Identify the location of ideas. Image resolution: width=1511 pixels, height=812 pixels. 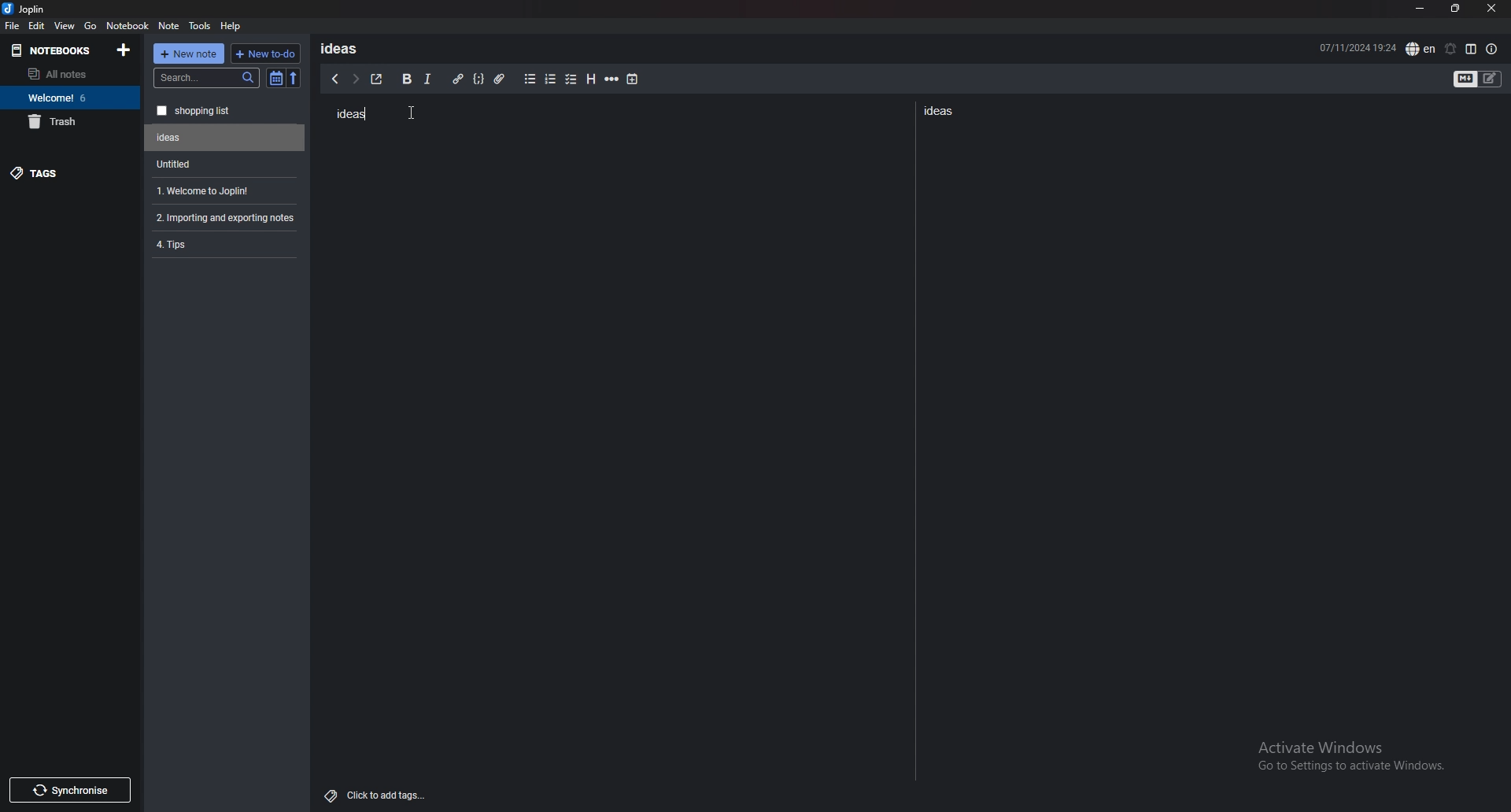
(345, 48).